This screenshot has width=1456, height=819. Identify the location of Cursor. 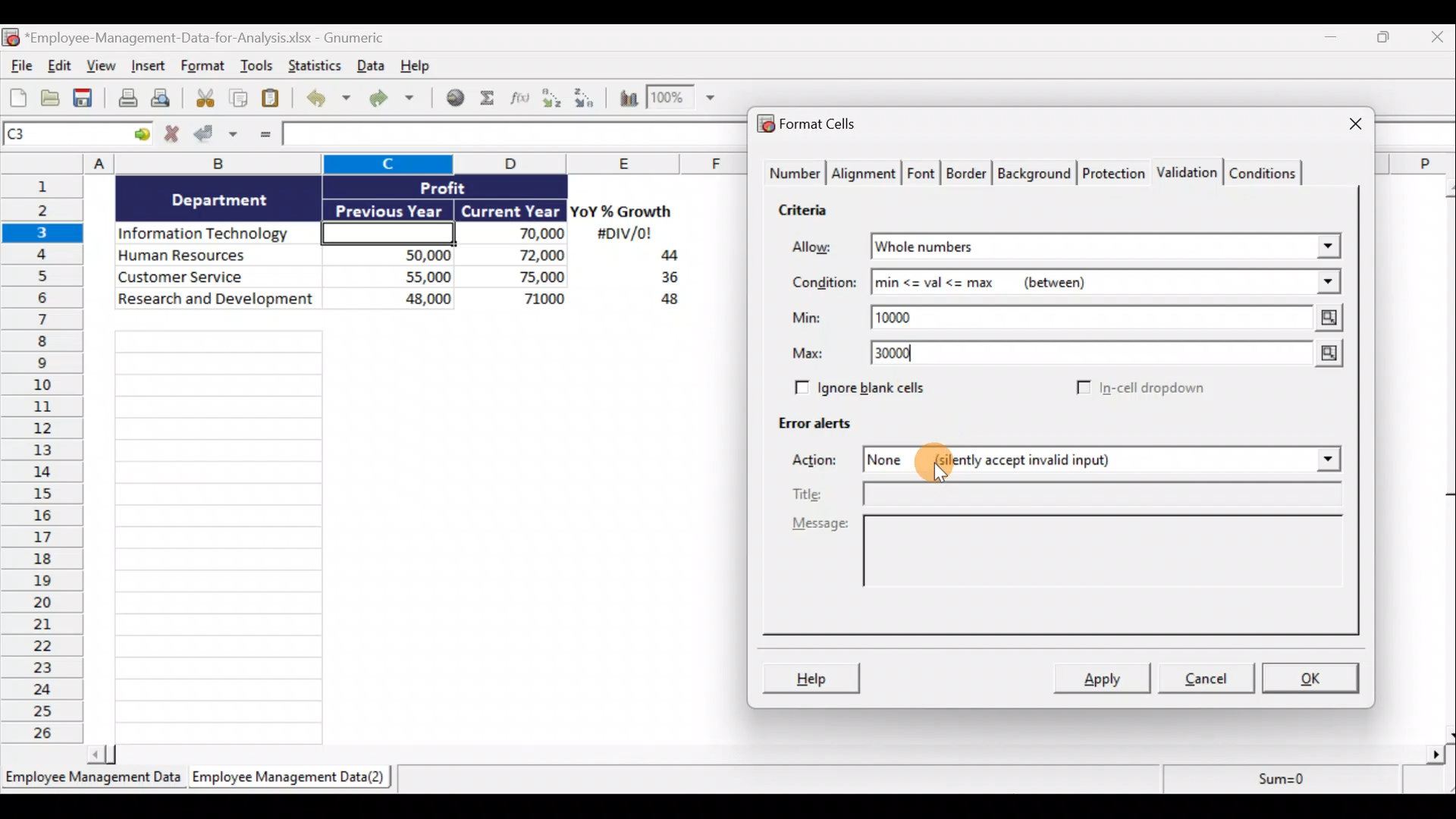
(943, 463).